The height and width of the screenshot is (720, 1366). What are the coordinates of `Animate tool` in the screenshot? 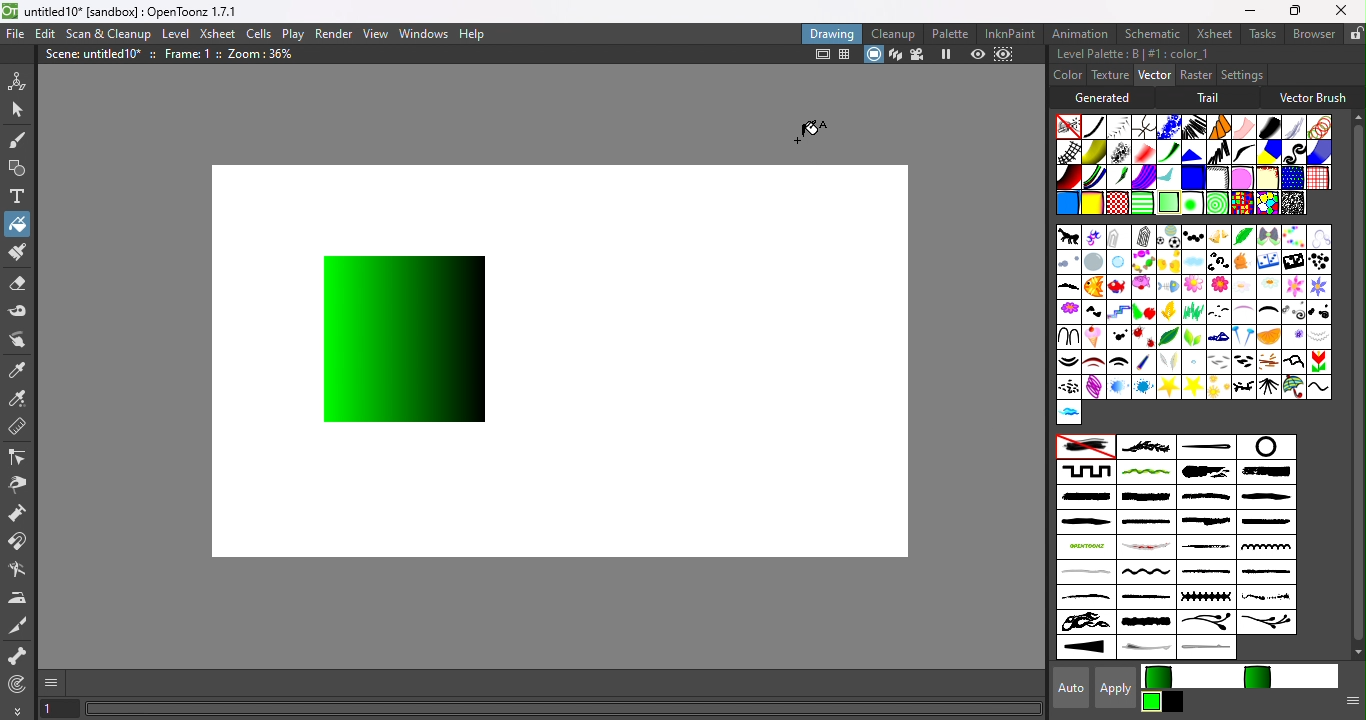 It's located at (20, 80).